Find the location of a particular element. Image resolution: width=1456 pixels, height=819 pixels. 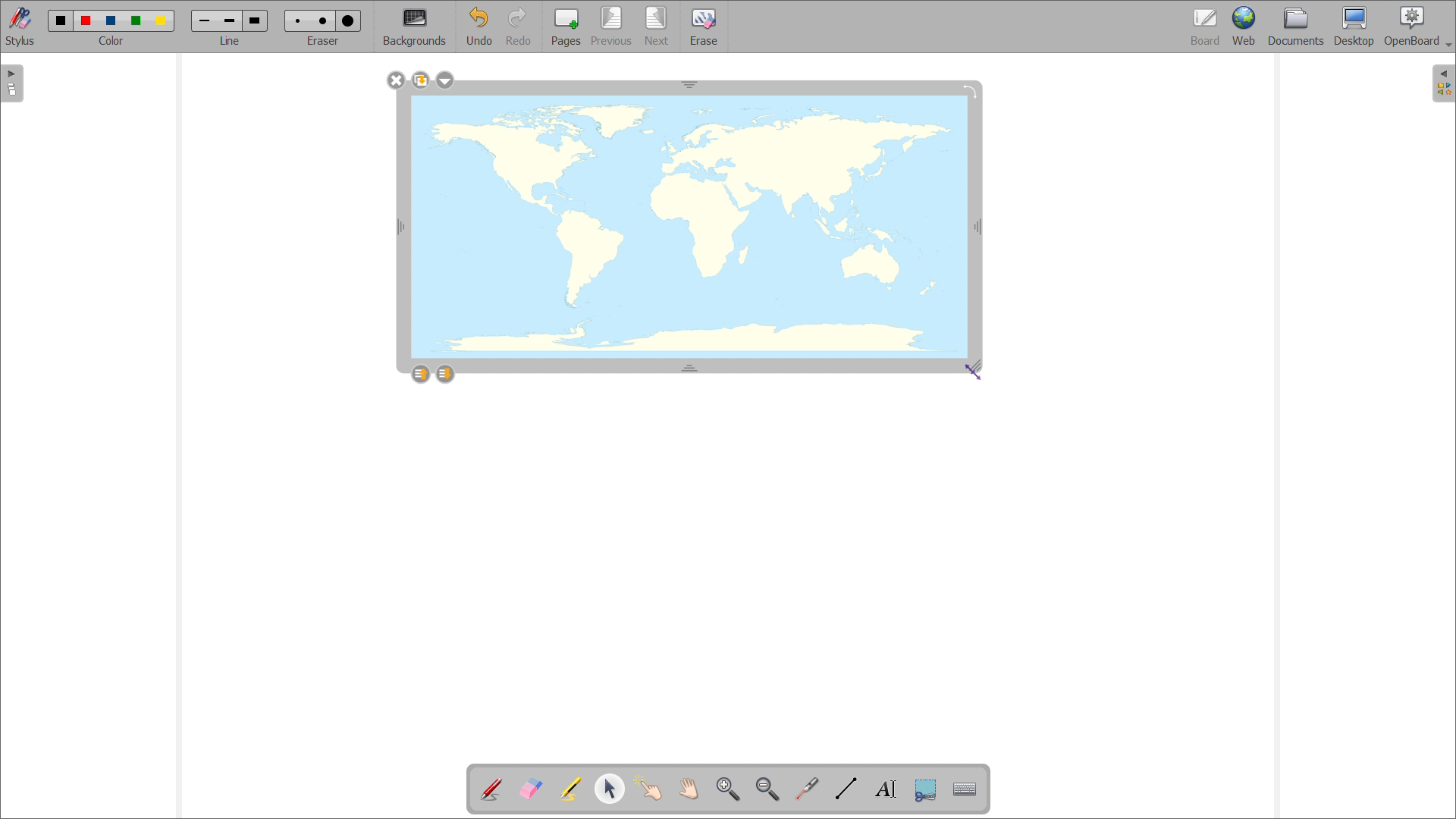

openboard settings is located at coordinates (1417, 27).